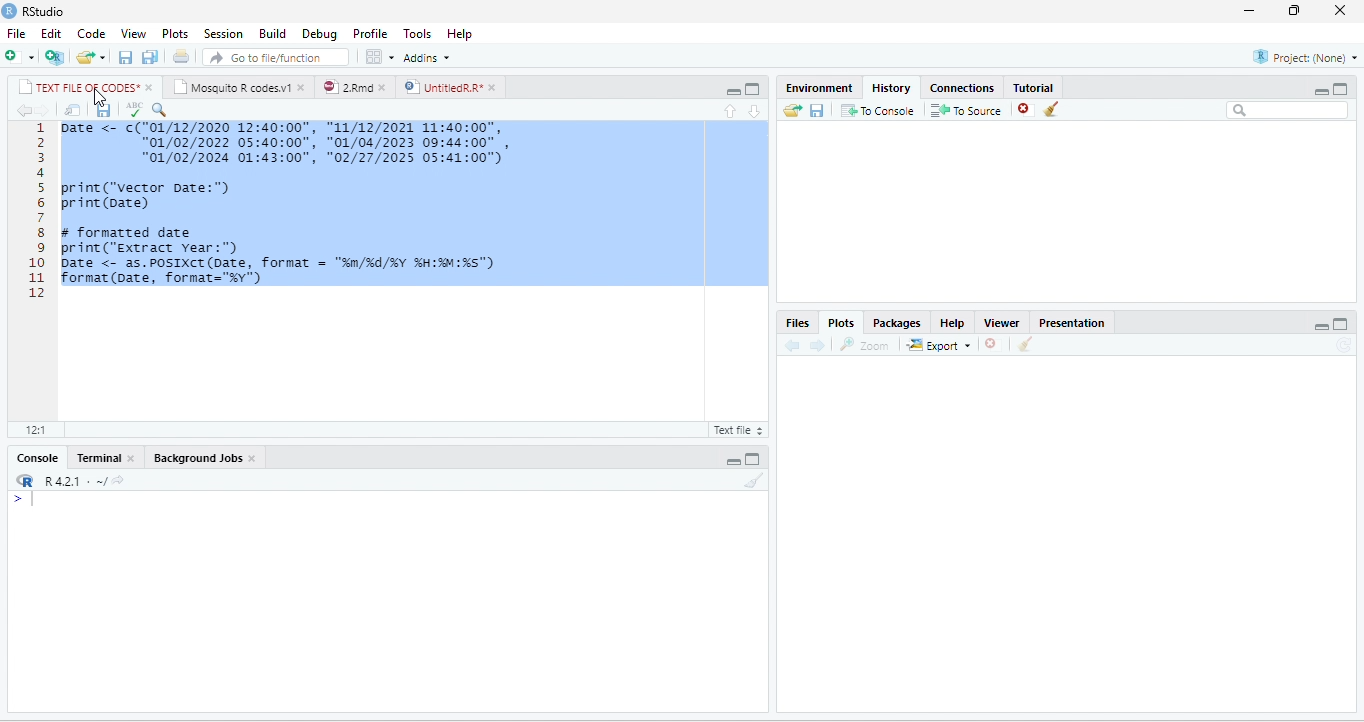  I want to click on TEXT FILE OF CODES, so click(78, 87).